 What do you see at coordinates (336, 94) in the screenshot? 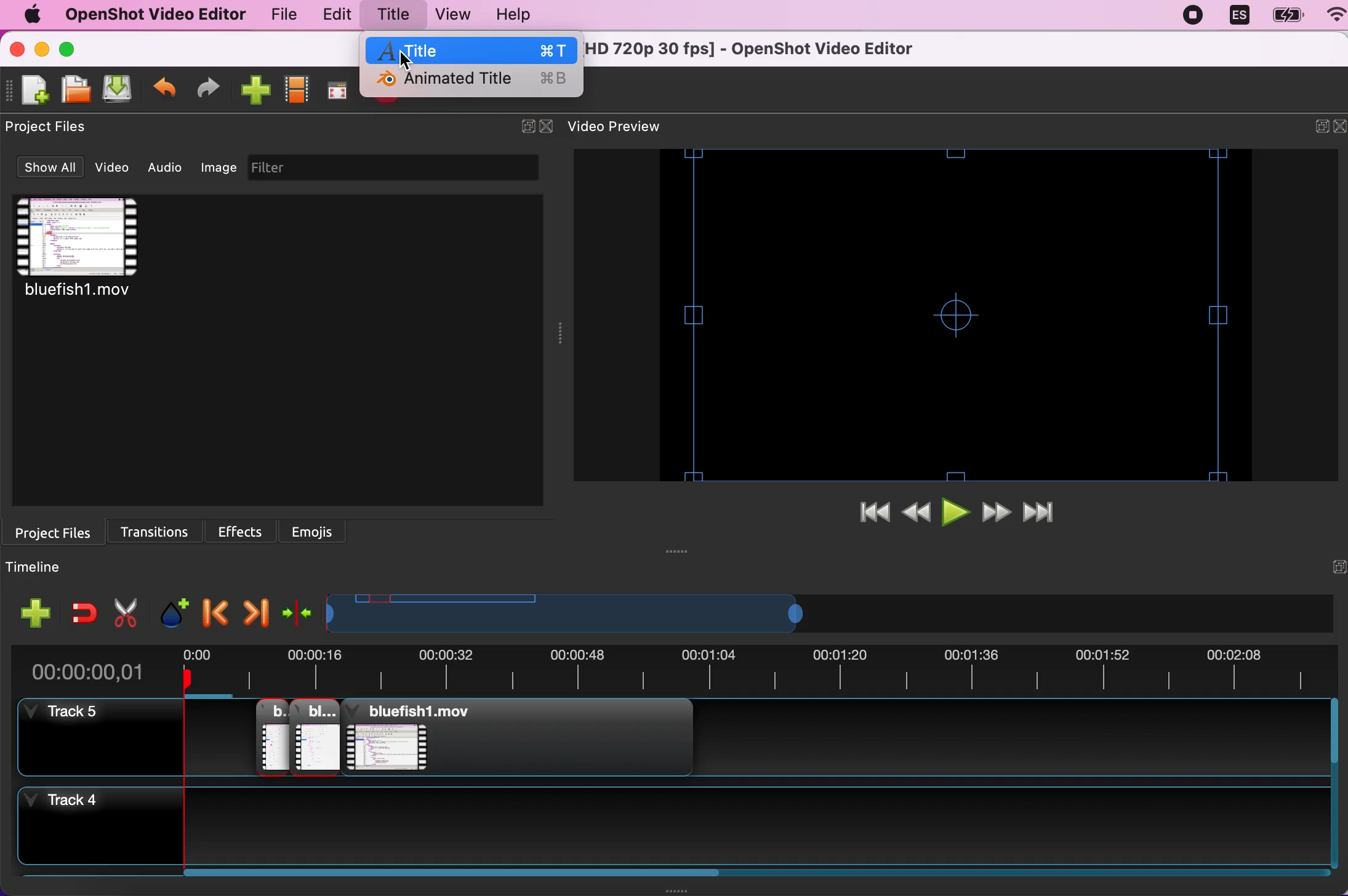
I see `full screen` at bounding box center [336, 94].